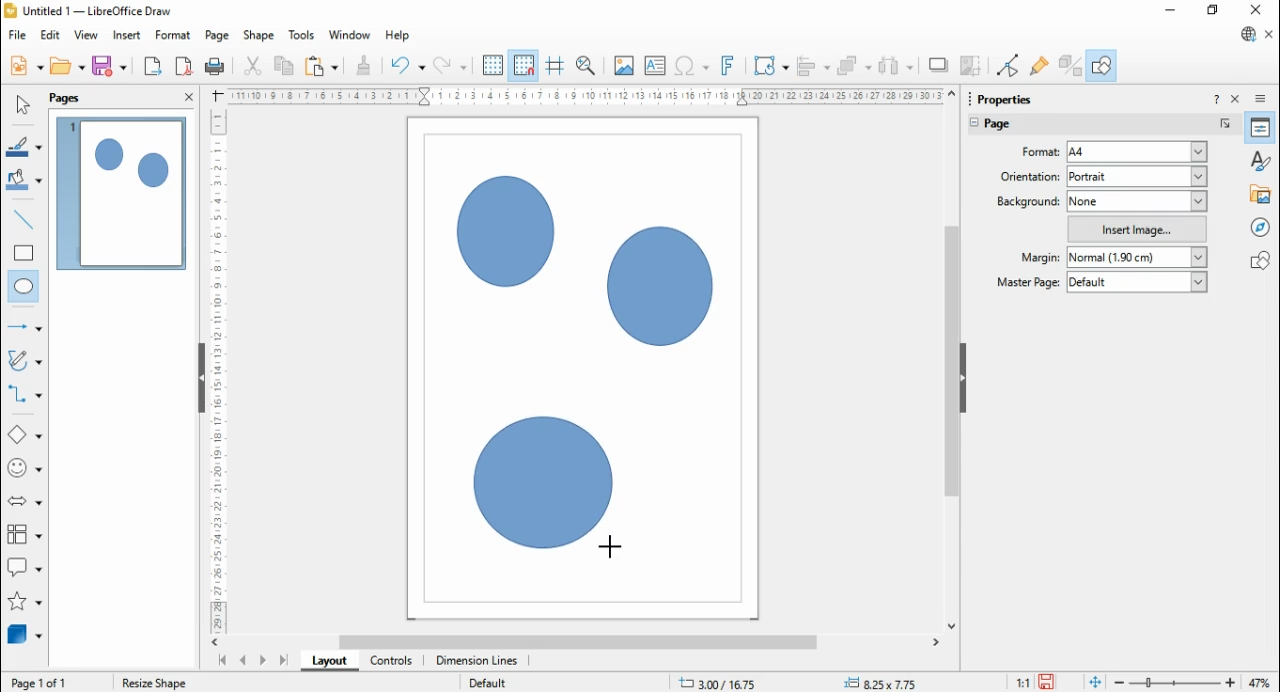 The width and height of the screenshot is (1280, 692). Describe the element at coordinates (1029, 201) in the screenshot. I see `background` at that location.